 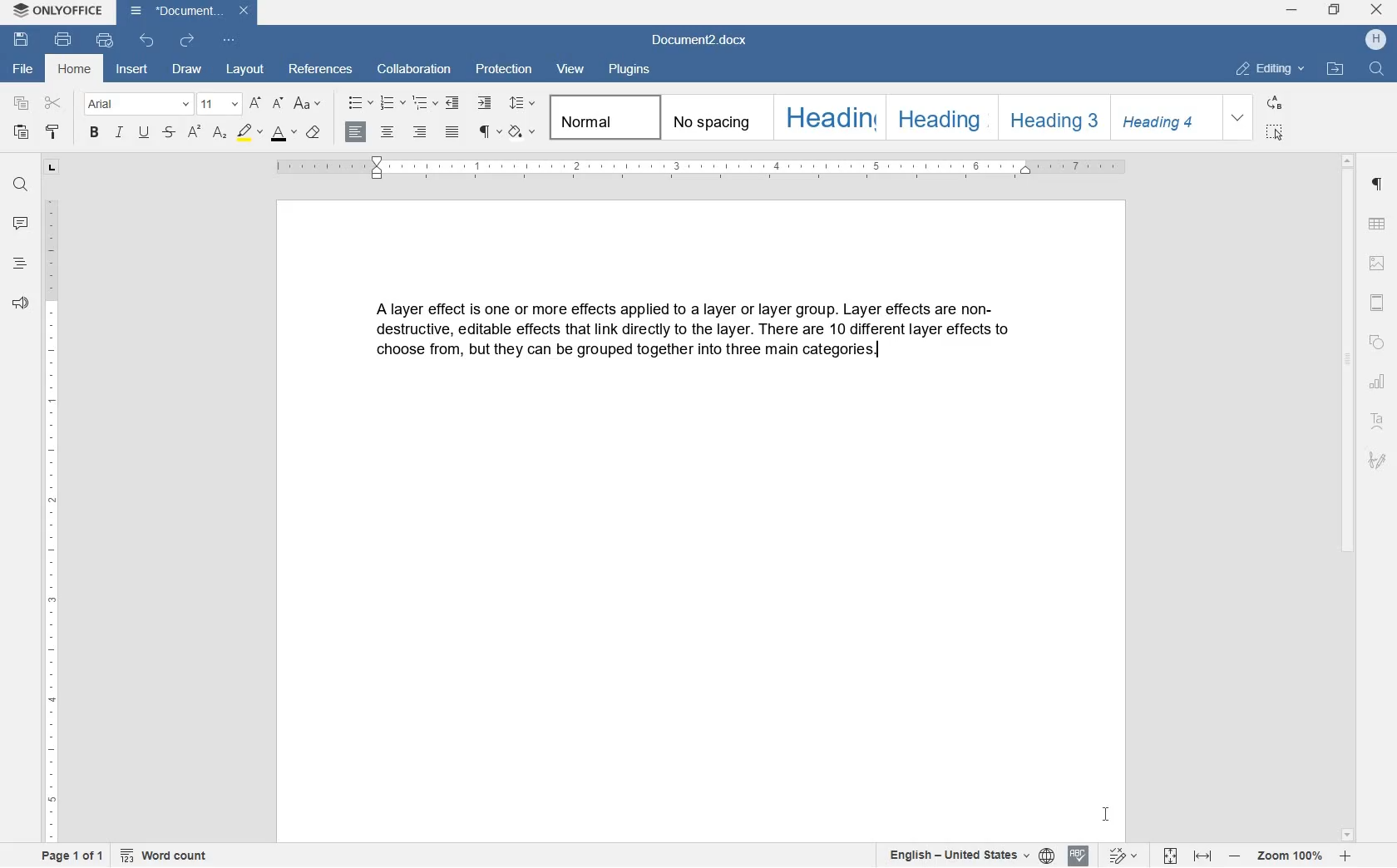 I want to click on replace, so click(x=1276, y=105).